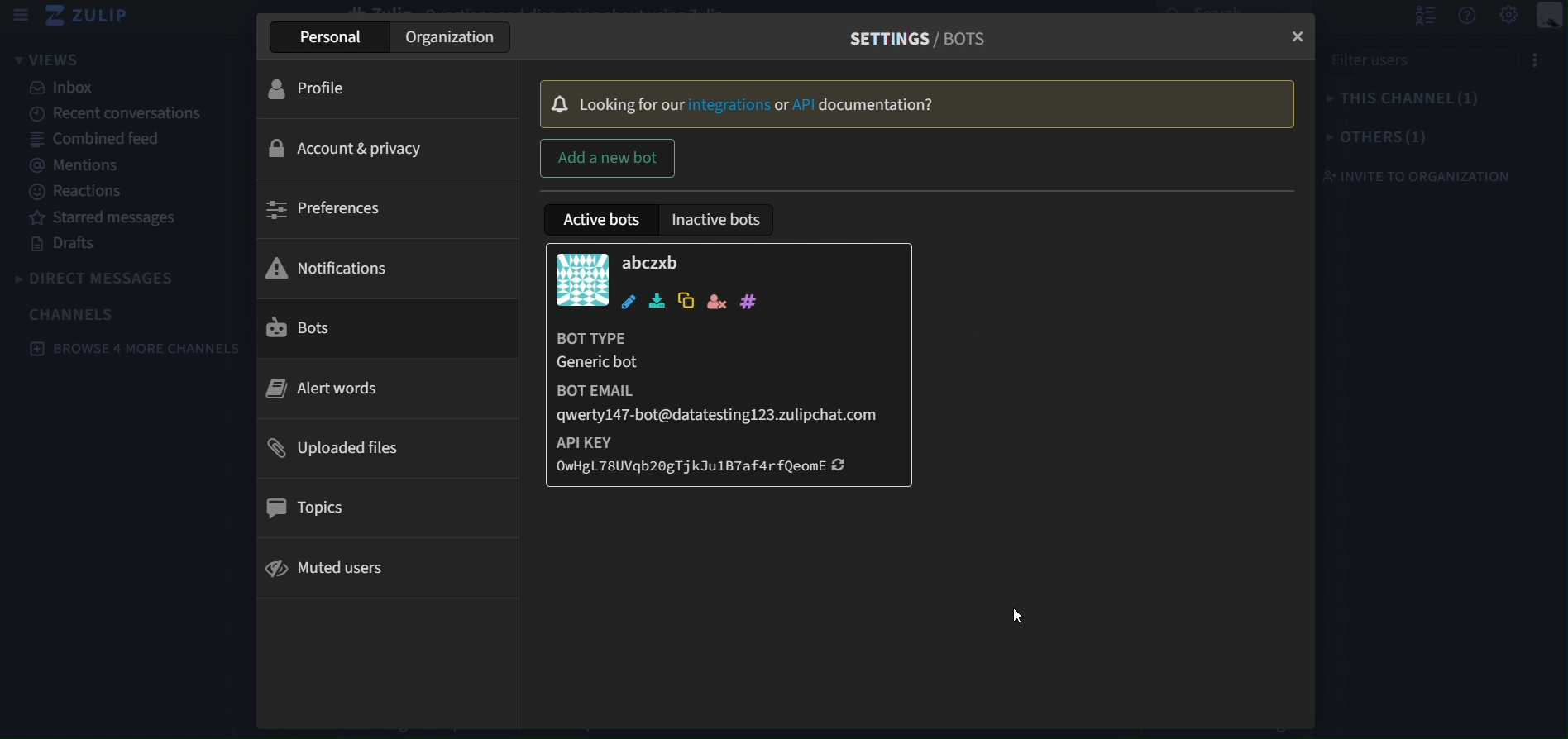 Image resolution: width=1568 pixels, height=739 pixels. What do you see at coordinates (729, 104) in the screenshot?
I see `Integration` at bounding box center [729, 104].